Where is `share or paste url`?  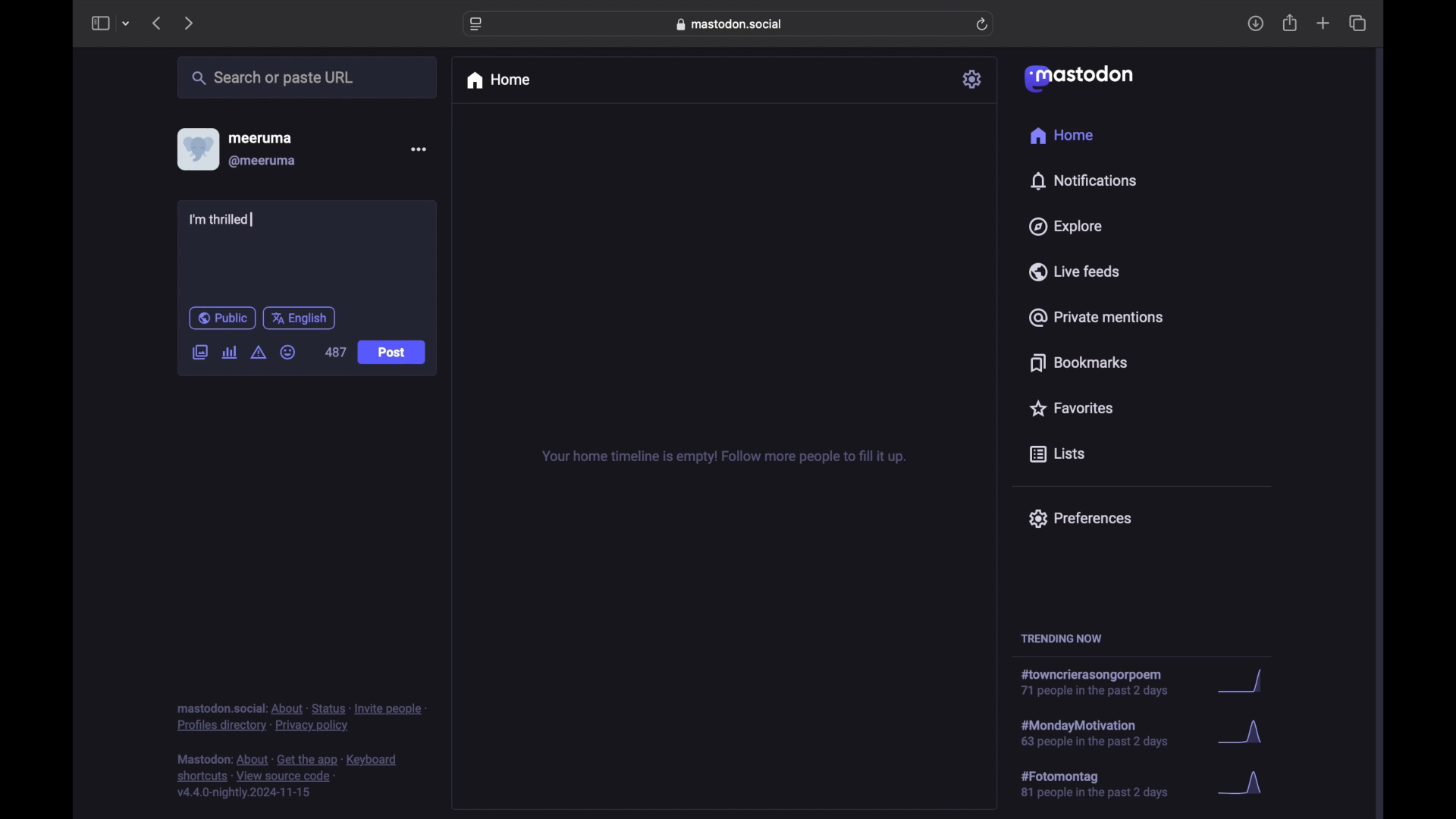
share or paste url is located at coordinates (273, 77).